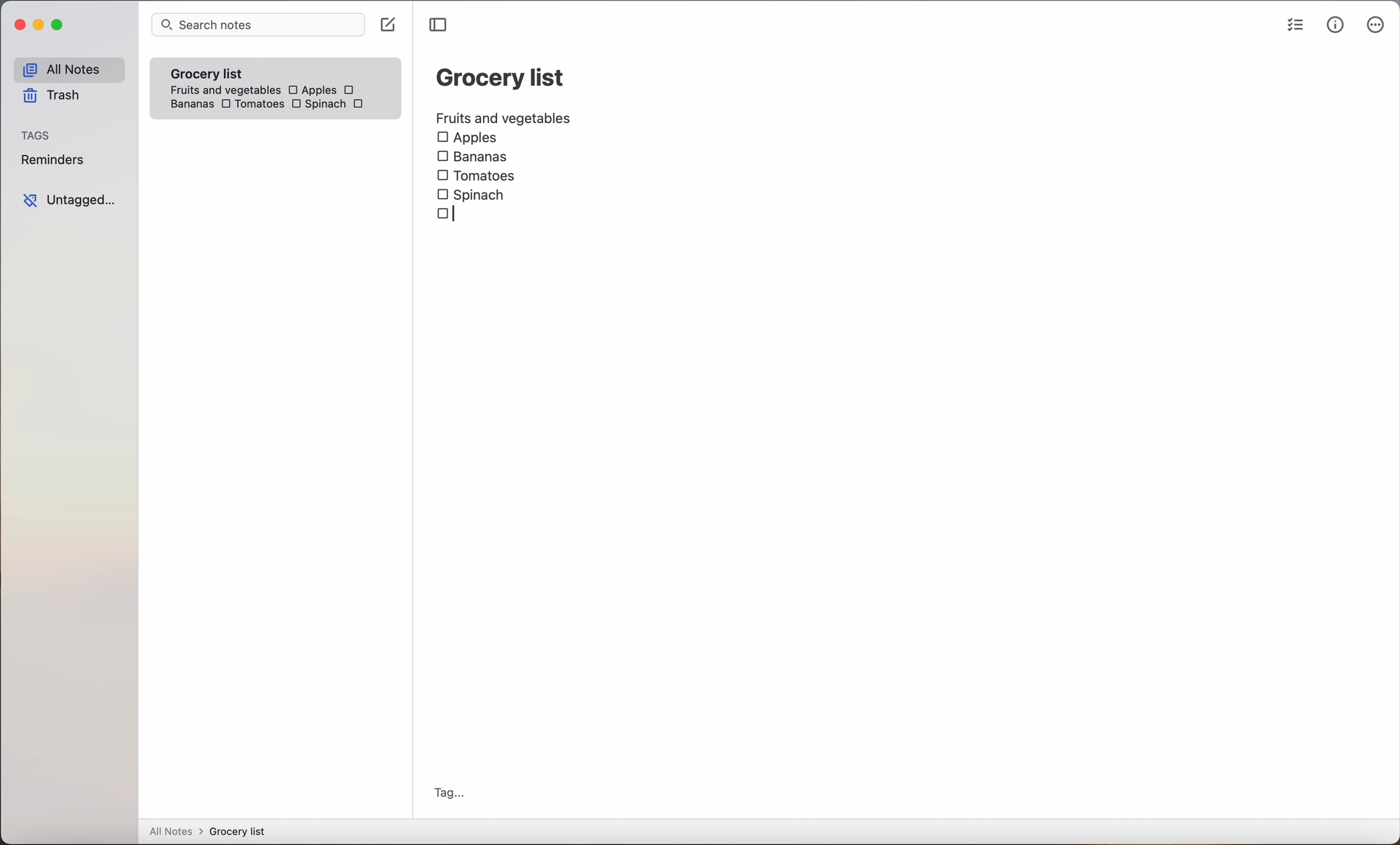 The width and height of the screenshot is (1400, 845). What do you see at coordinates (501, 76) in the screenshot?
I see `grocery list` at bounding box center [501, 76].